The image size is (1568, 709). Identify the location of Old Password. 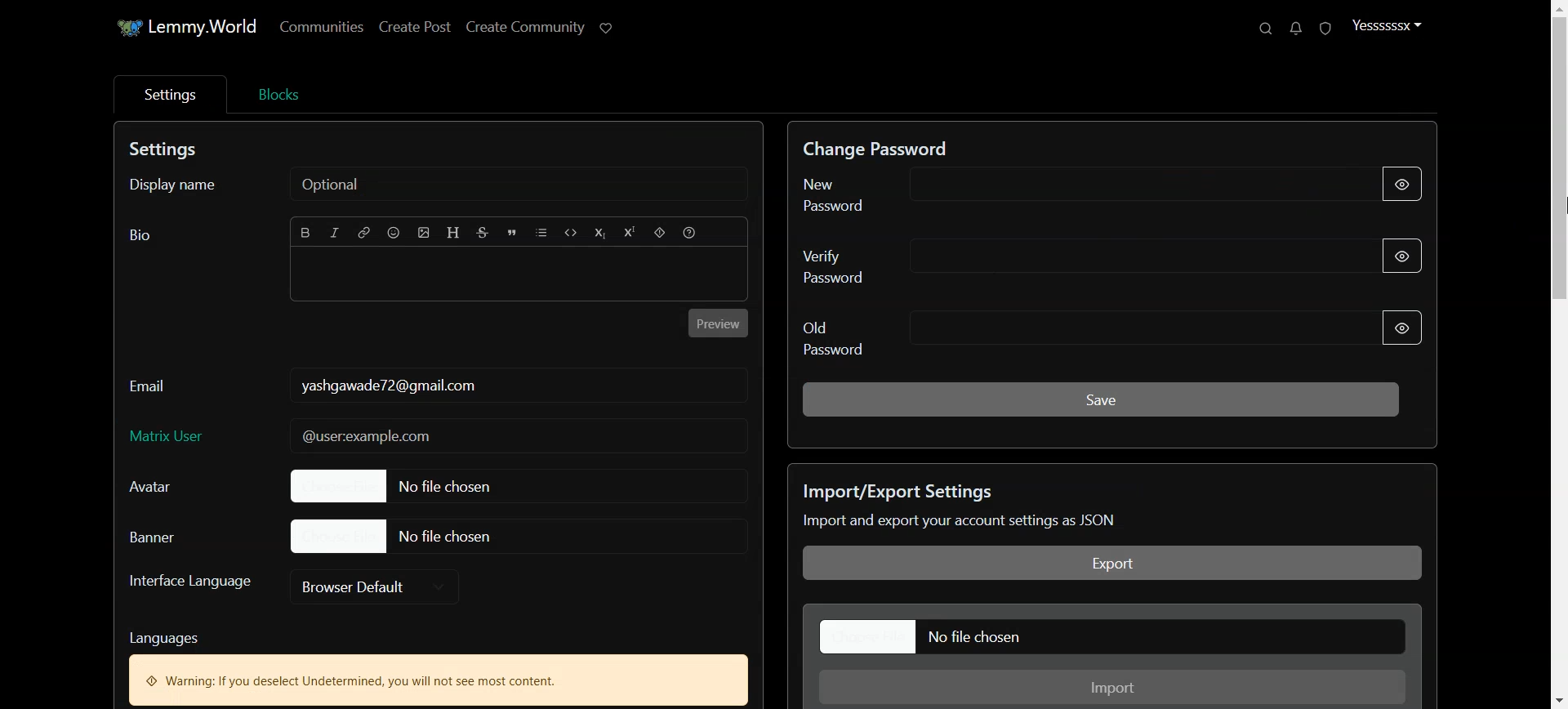
(1111, 333).